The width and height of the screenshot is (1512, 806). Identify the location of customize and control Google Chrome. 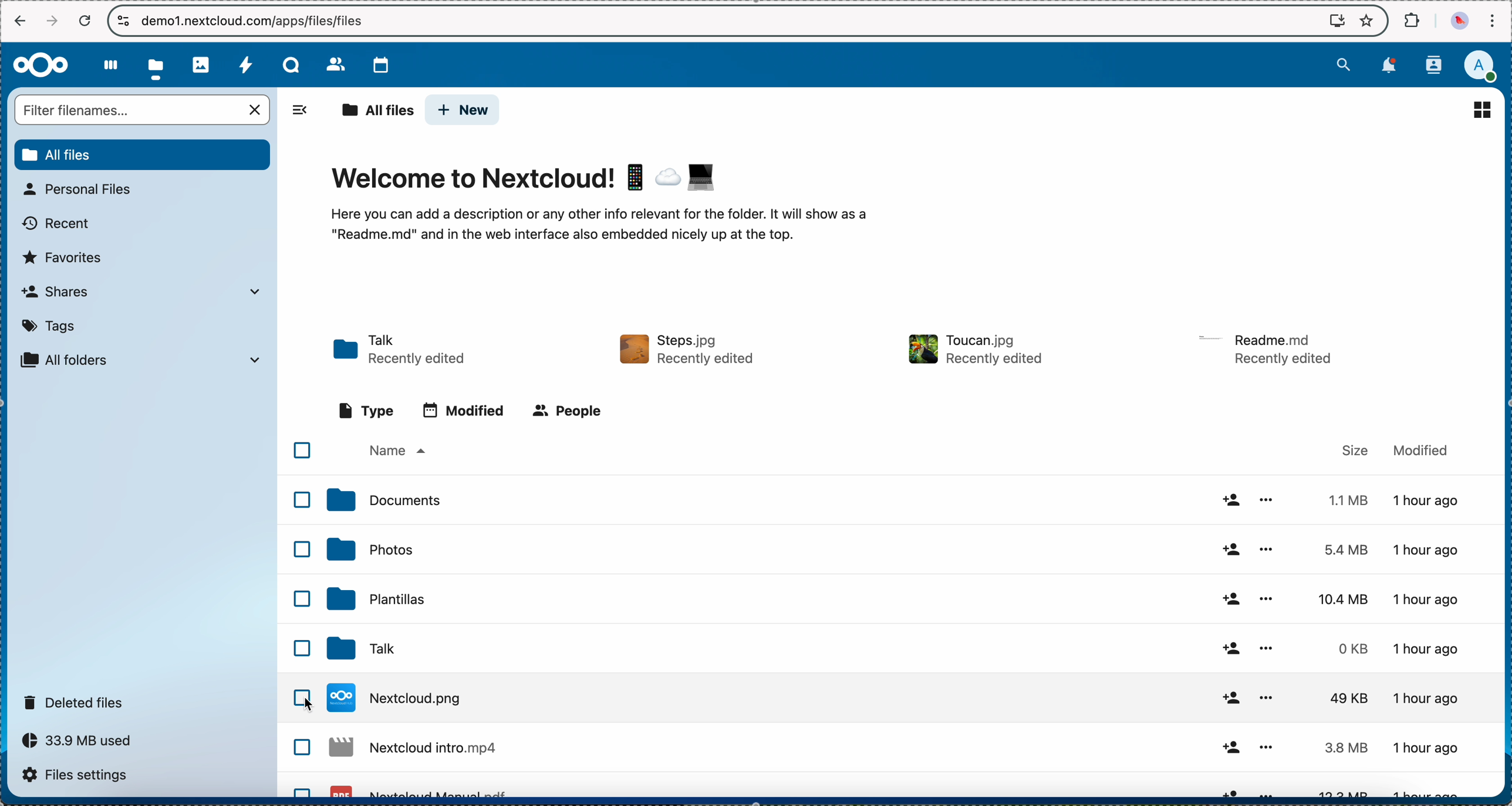
(1493, 21).